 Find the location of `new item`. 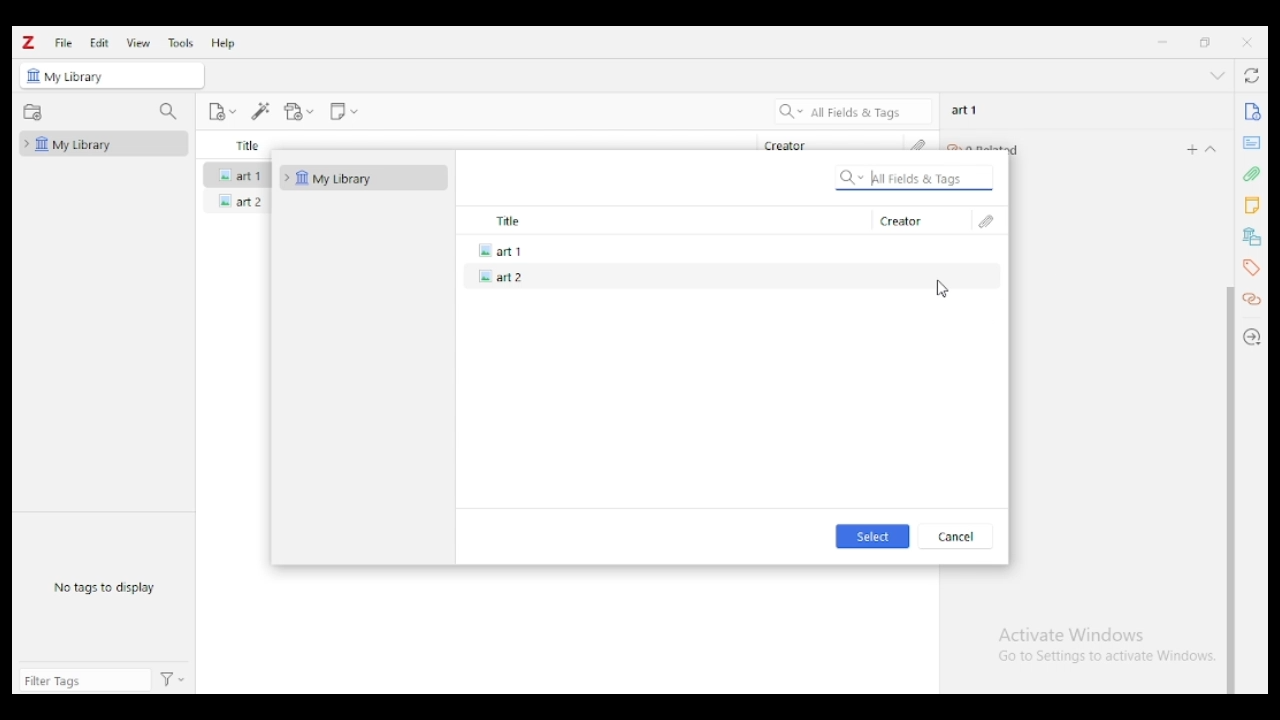

new item is located at coordinates (222, 111).